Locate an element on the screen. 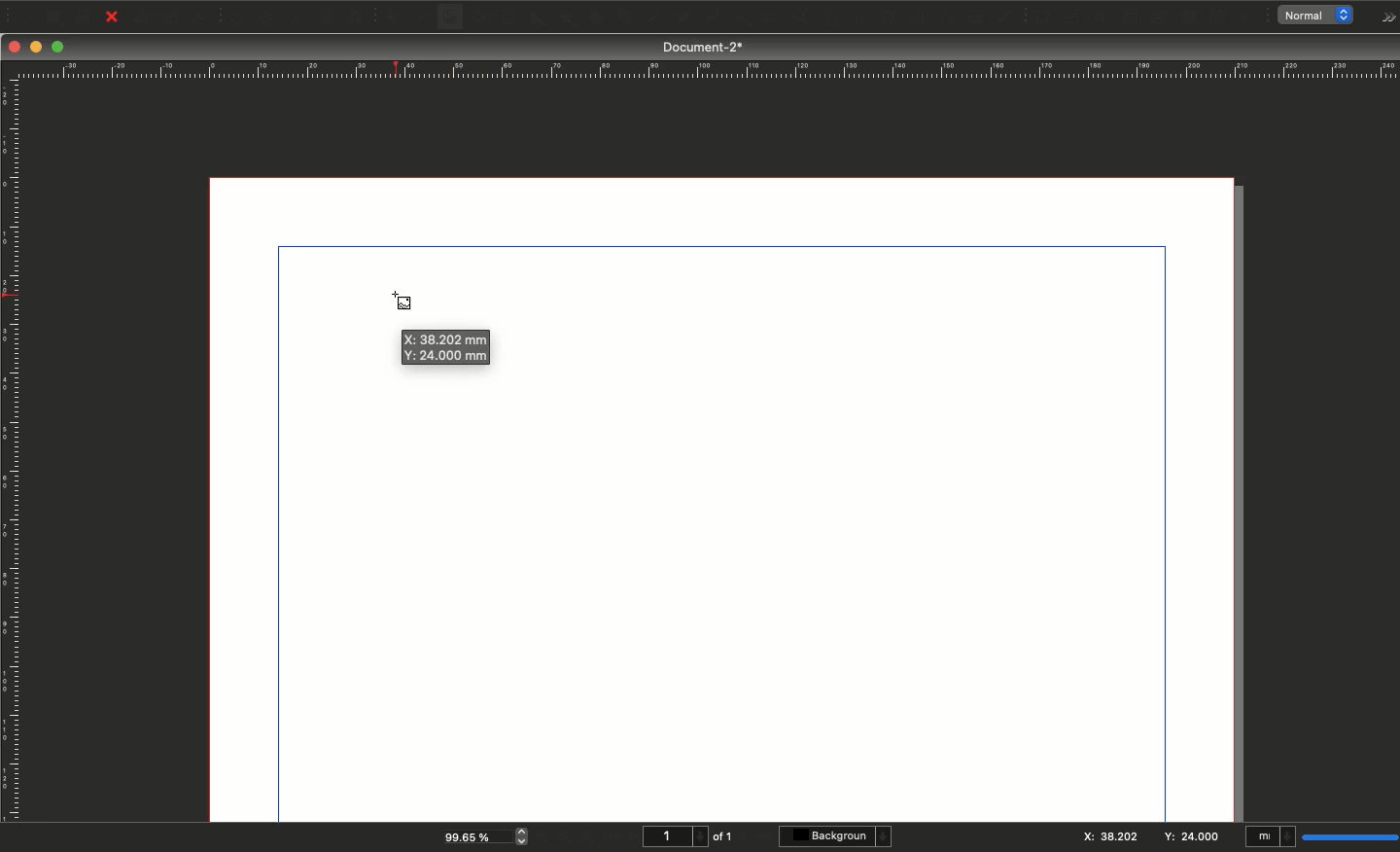 The image size is (1400, 852). Cut is located at coordinates (296, 18).